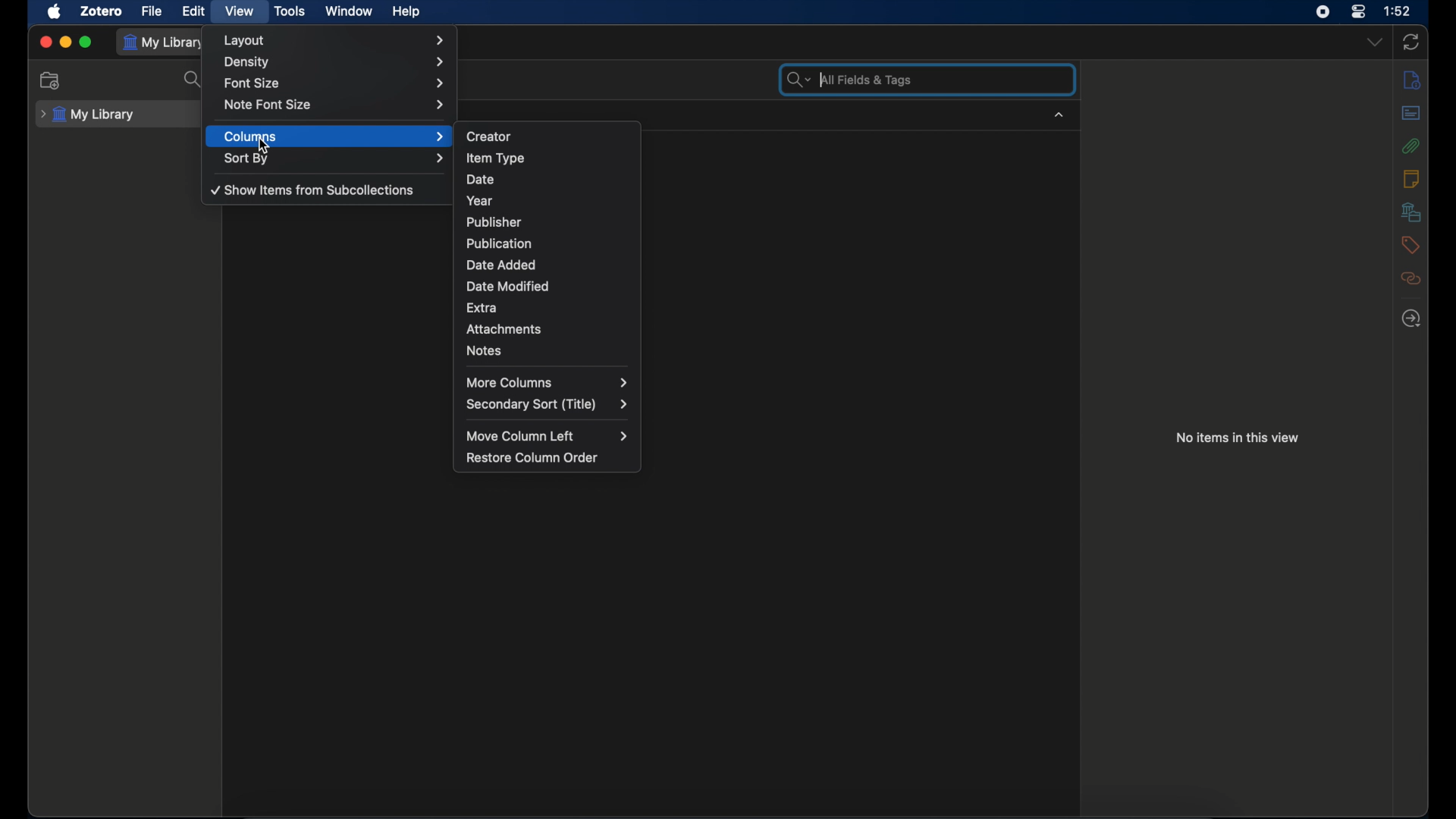  What do you see at coordinates (65, 41) in the screenshot?
I see `minimize` at bounding box center [65, 41].